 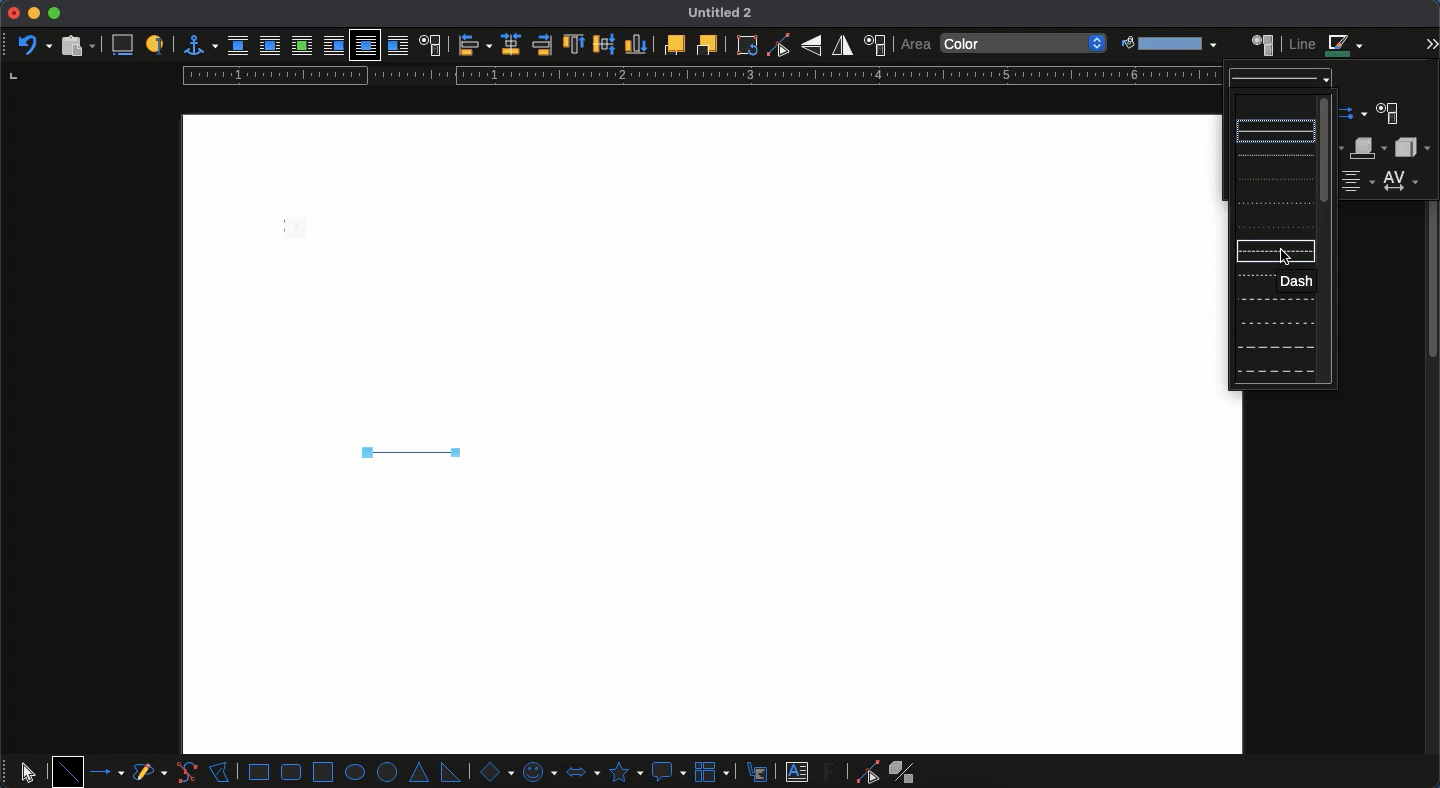 What do you see at coordinates (864, 772) in the screenshot?
I see `point end mode` at bounding box center [864, 772].